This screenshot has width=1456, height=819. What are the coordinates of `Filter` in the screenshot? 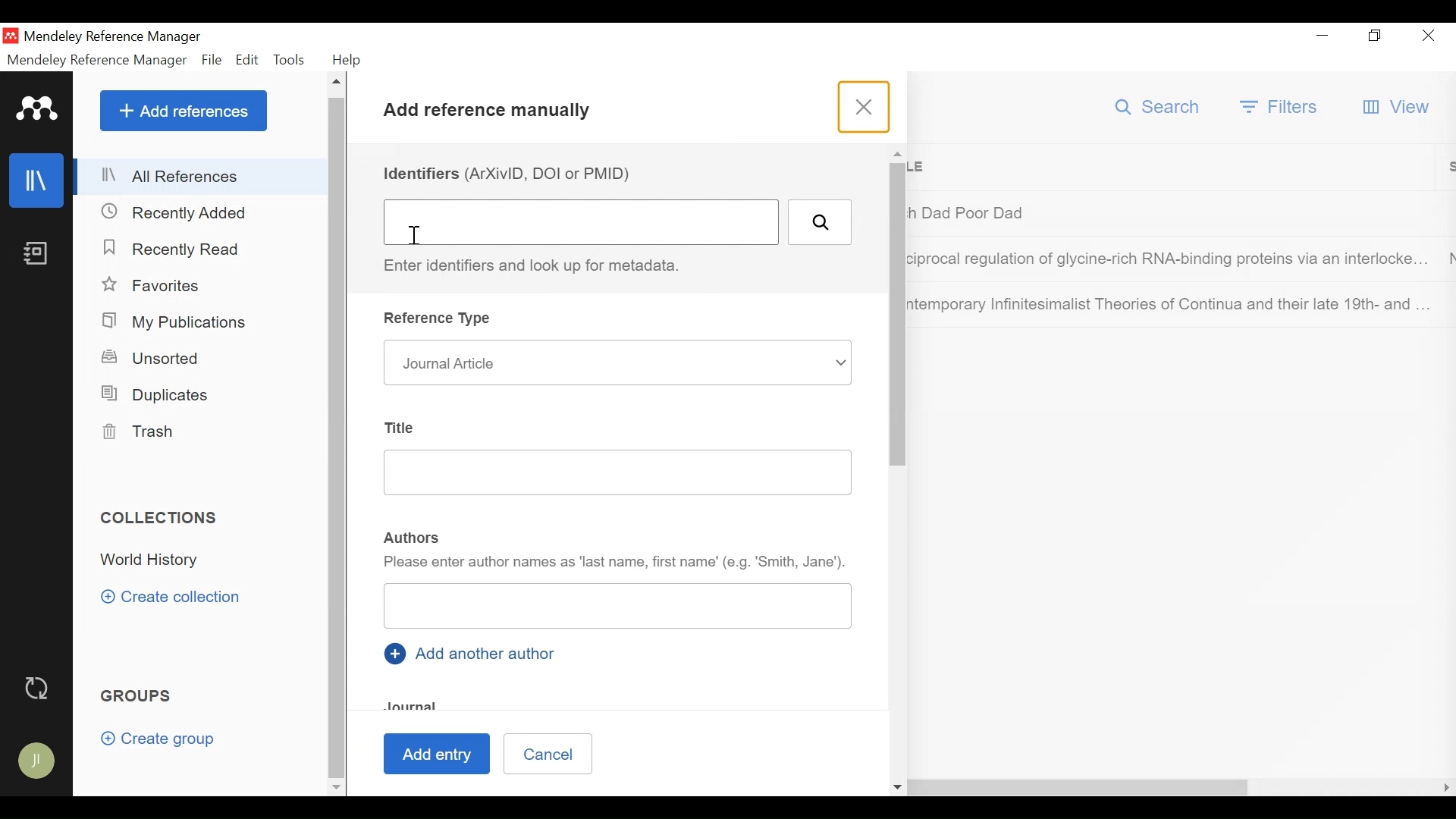 It's located at (1280, 108).